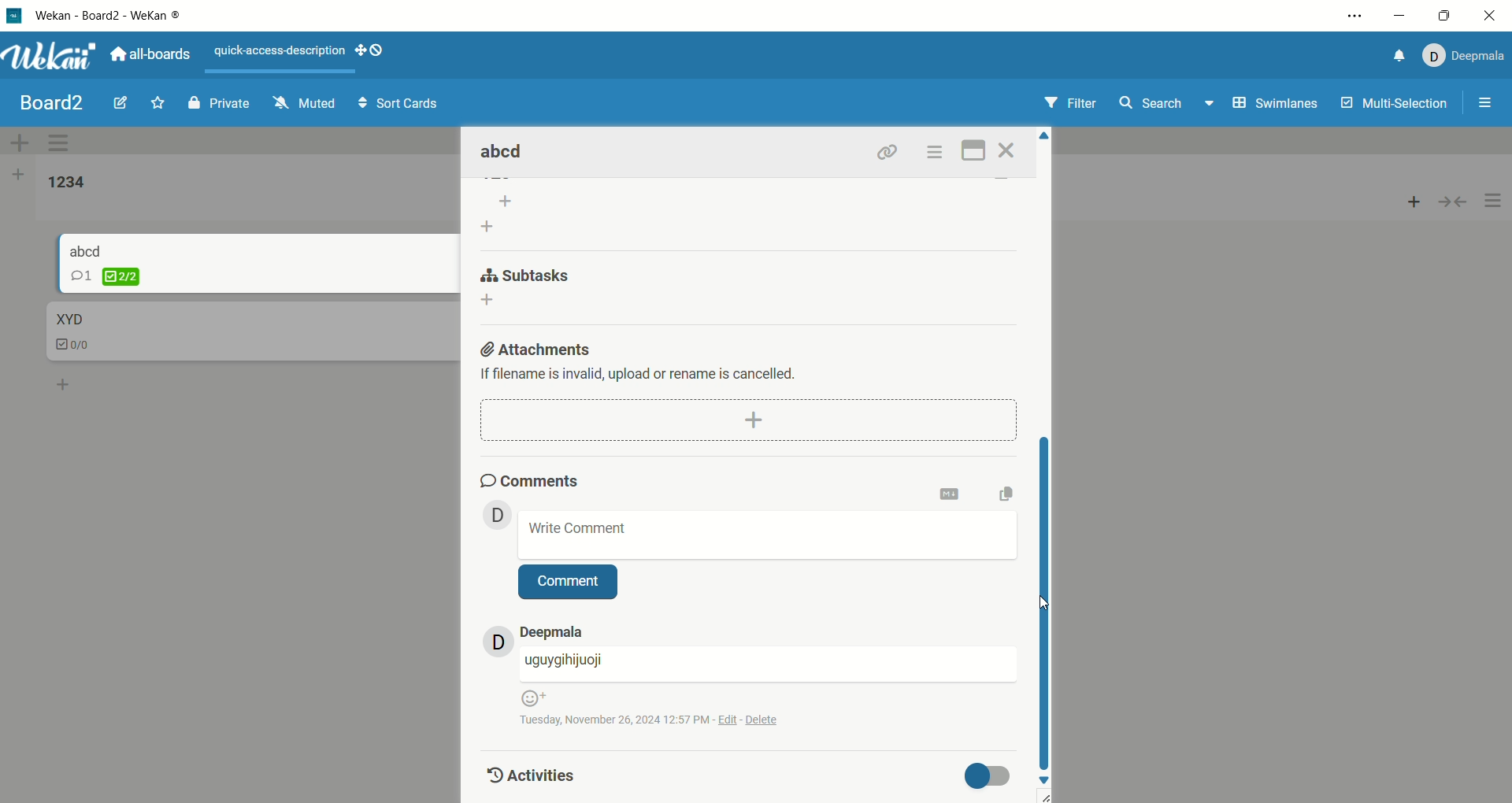 The width and height of the screenshot is (1512, 803). What do you see at coordinates (1395, 58) in the screenshot?
I see `notification` at bounding box center [1395, 58].